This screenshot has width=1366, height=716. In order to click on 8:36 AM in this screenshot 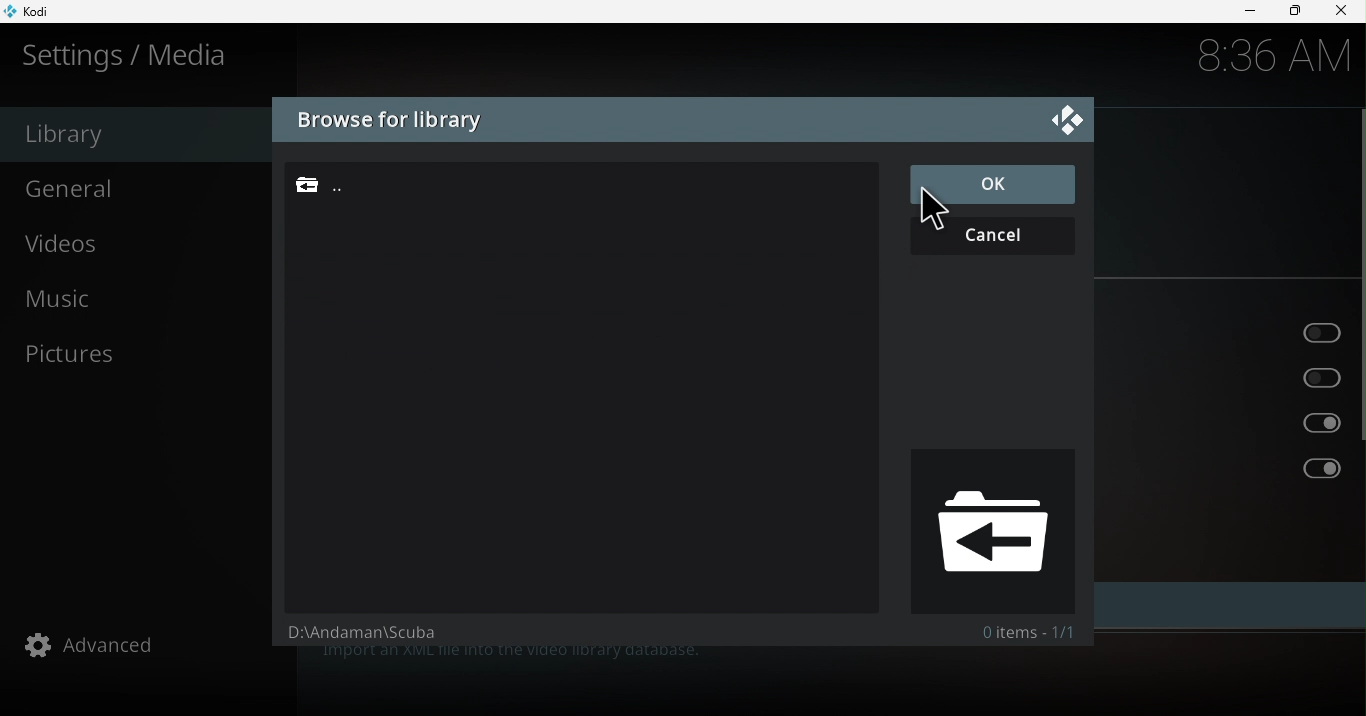, I will do `click(1265, 59)`.